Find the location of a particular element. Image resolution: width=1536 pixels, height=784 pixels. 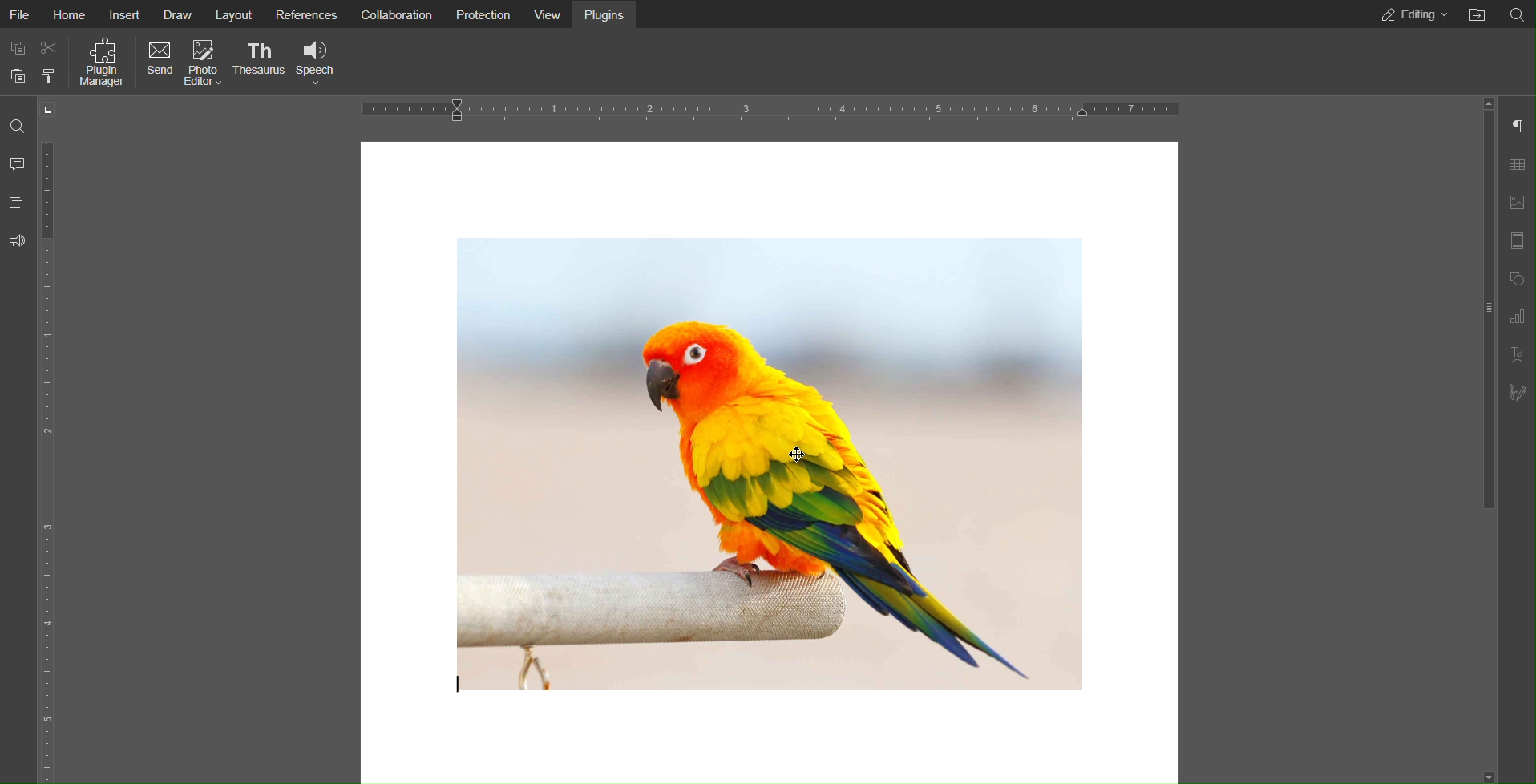

Shape Settings is located at coordinates (1515, 279).